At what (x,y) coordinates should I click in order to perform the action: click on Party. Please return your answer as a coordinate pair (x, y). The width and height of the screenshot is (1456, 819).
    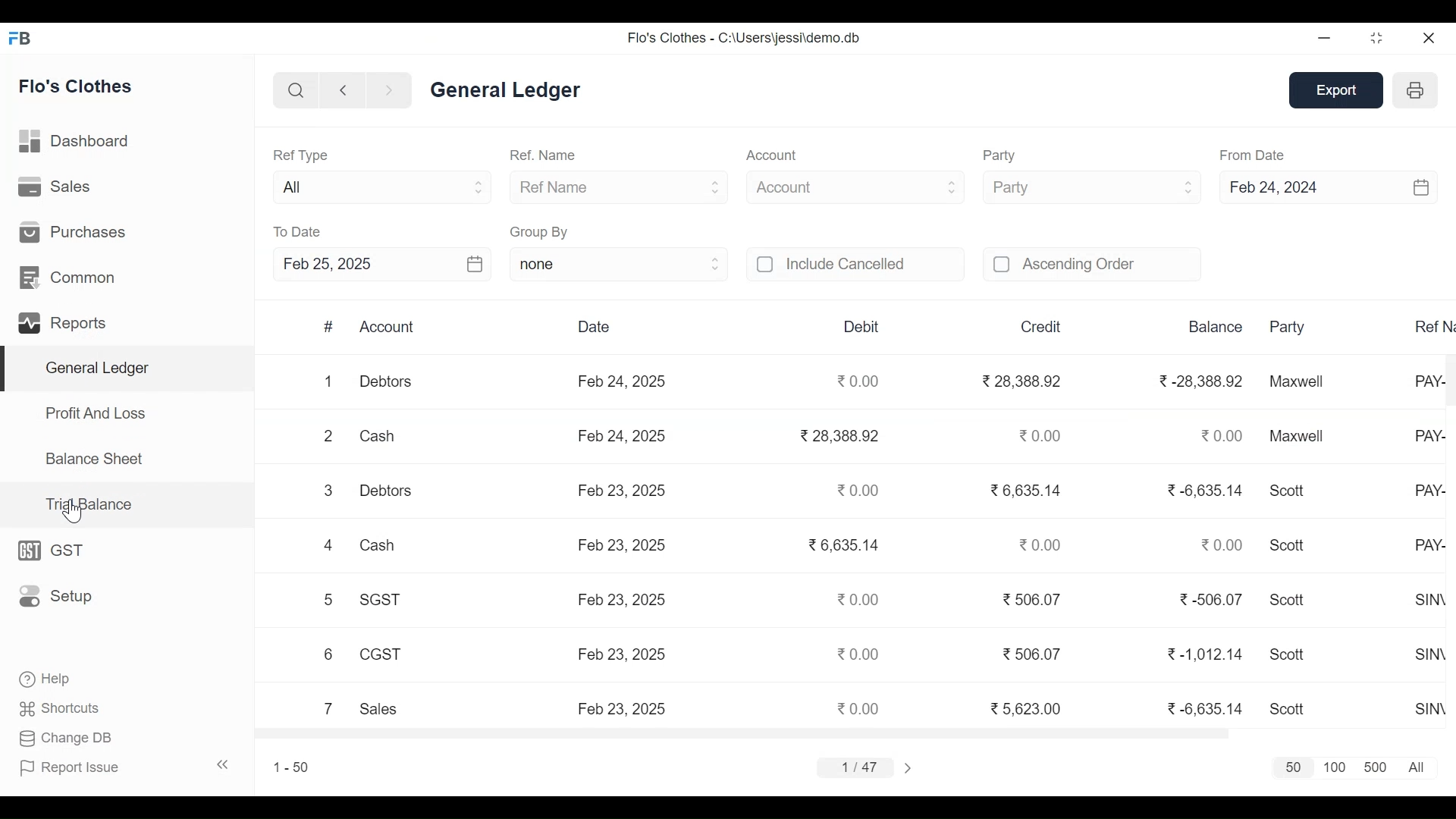
    Looking at the image, I should click on (1008, 156).